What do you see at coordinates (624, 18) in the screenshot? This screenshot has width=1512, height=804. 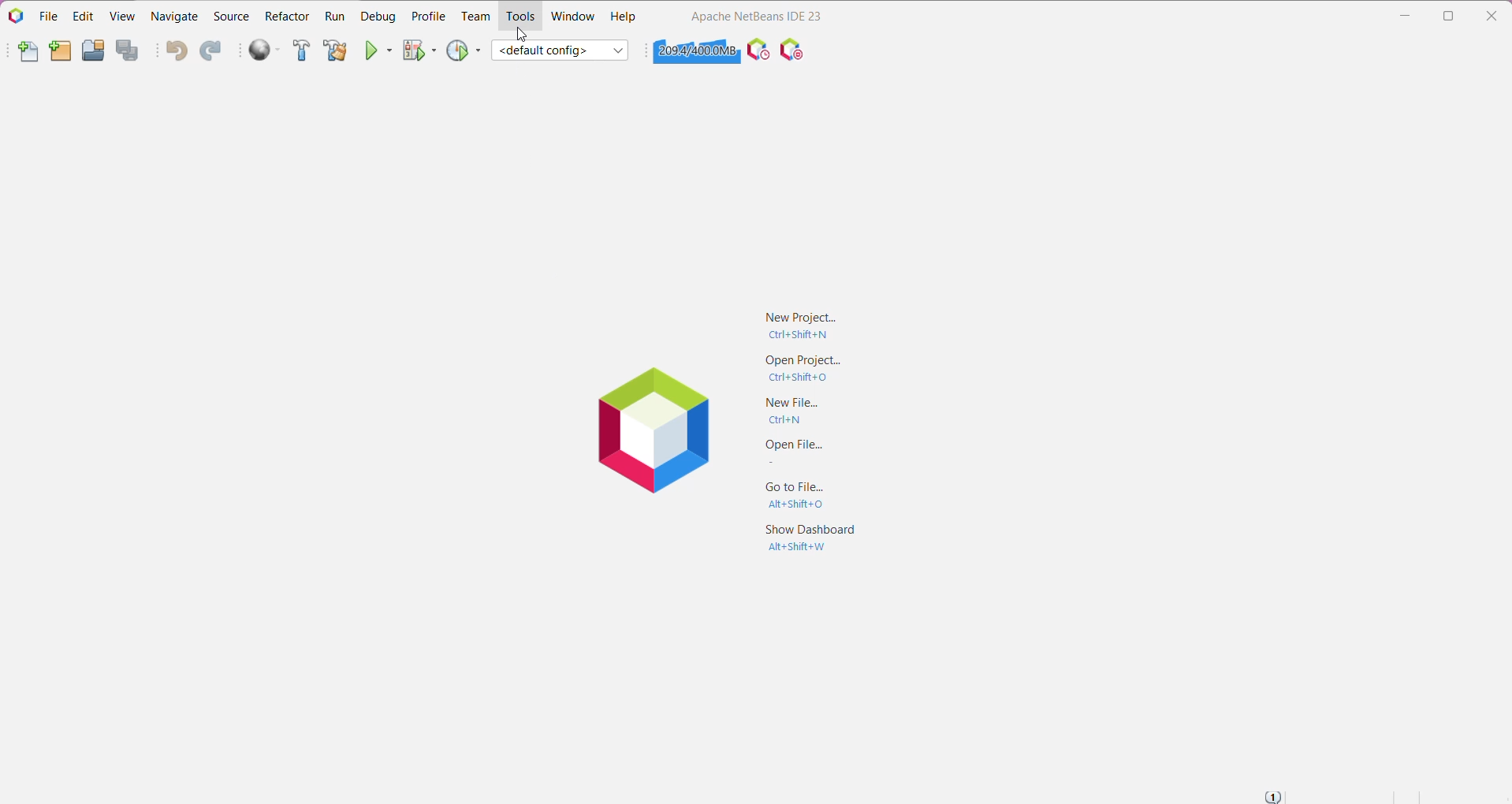 I see `Help` at bounding box center [624, 18].